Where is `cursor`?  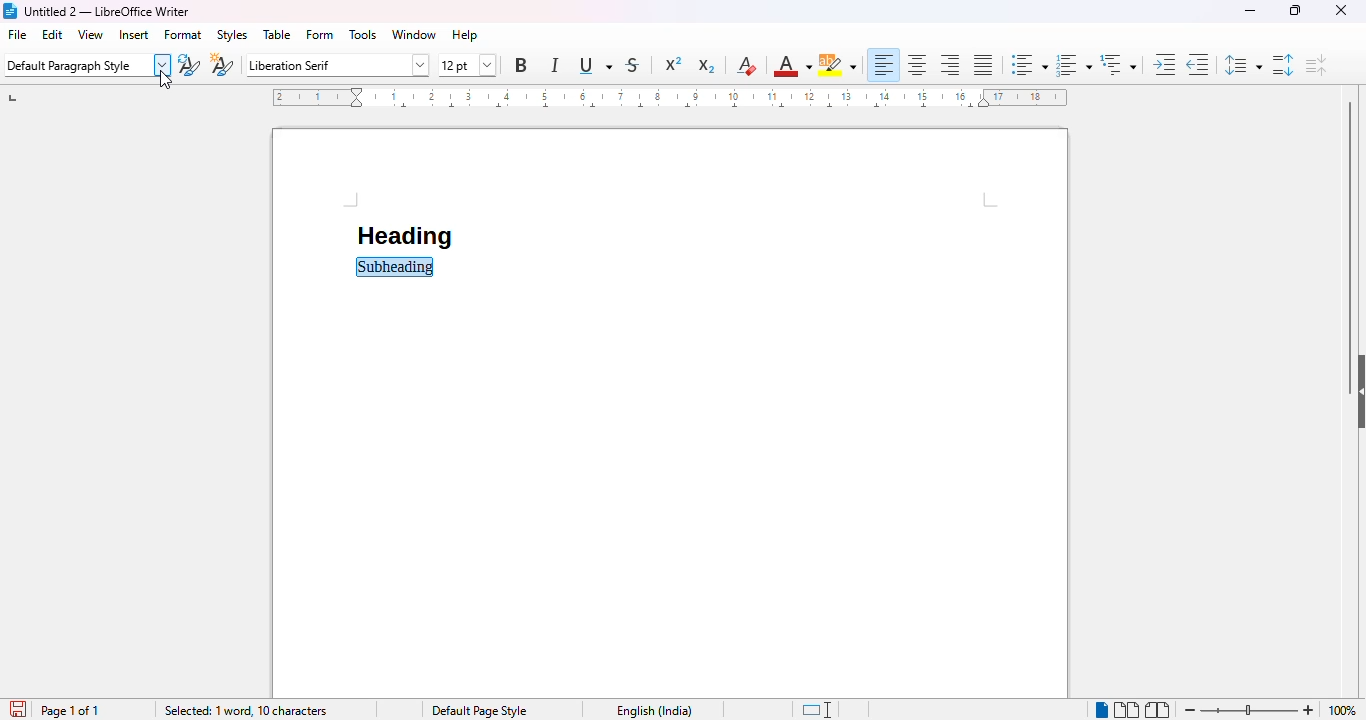 cursor is located at coordinates (166, 80).